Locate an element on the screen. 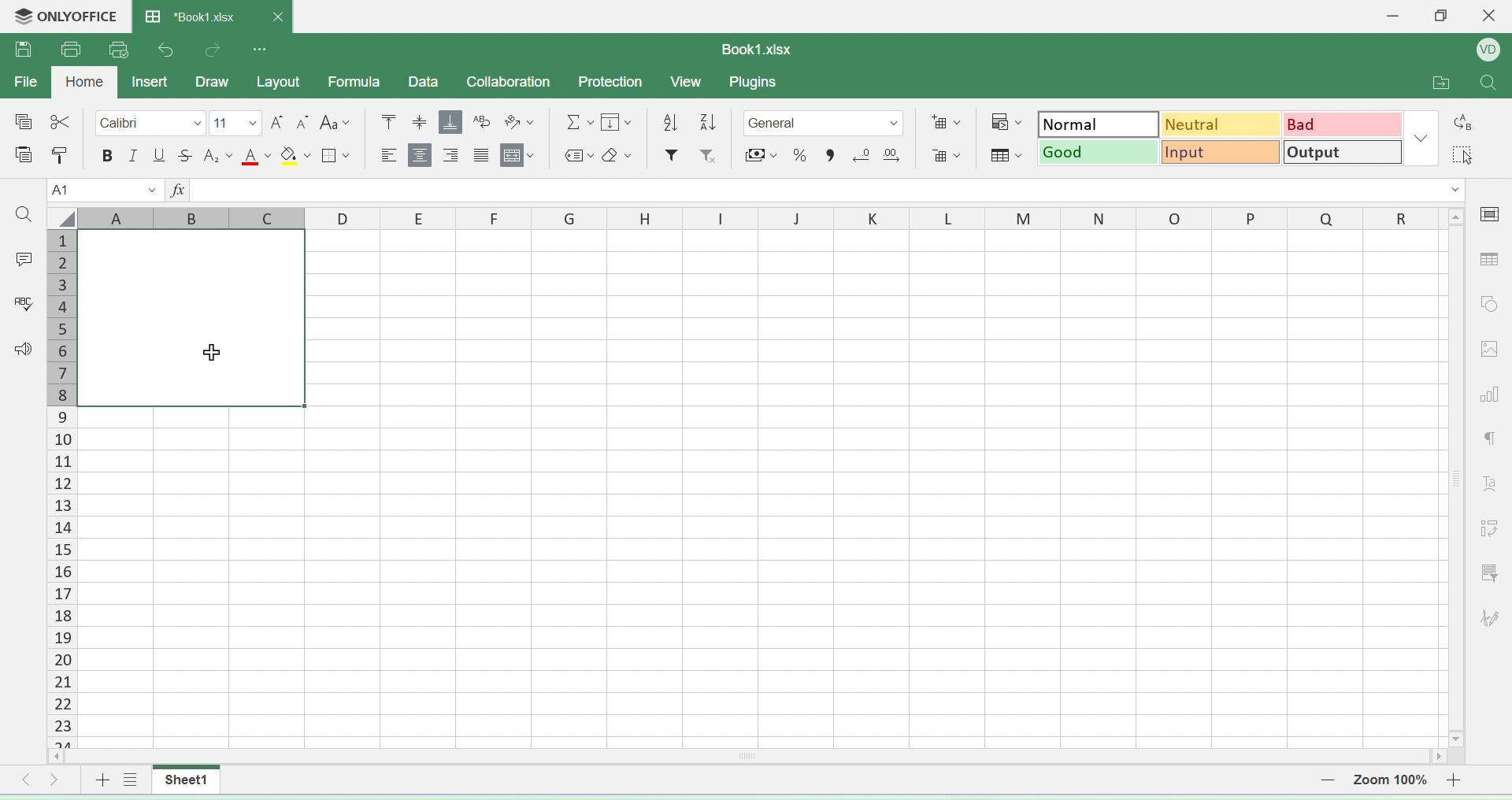  mo is located at coordinates (391, 123).